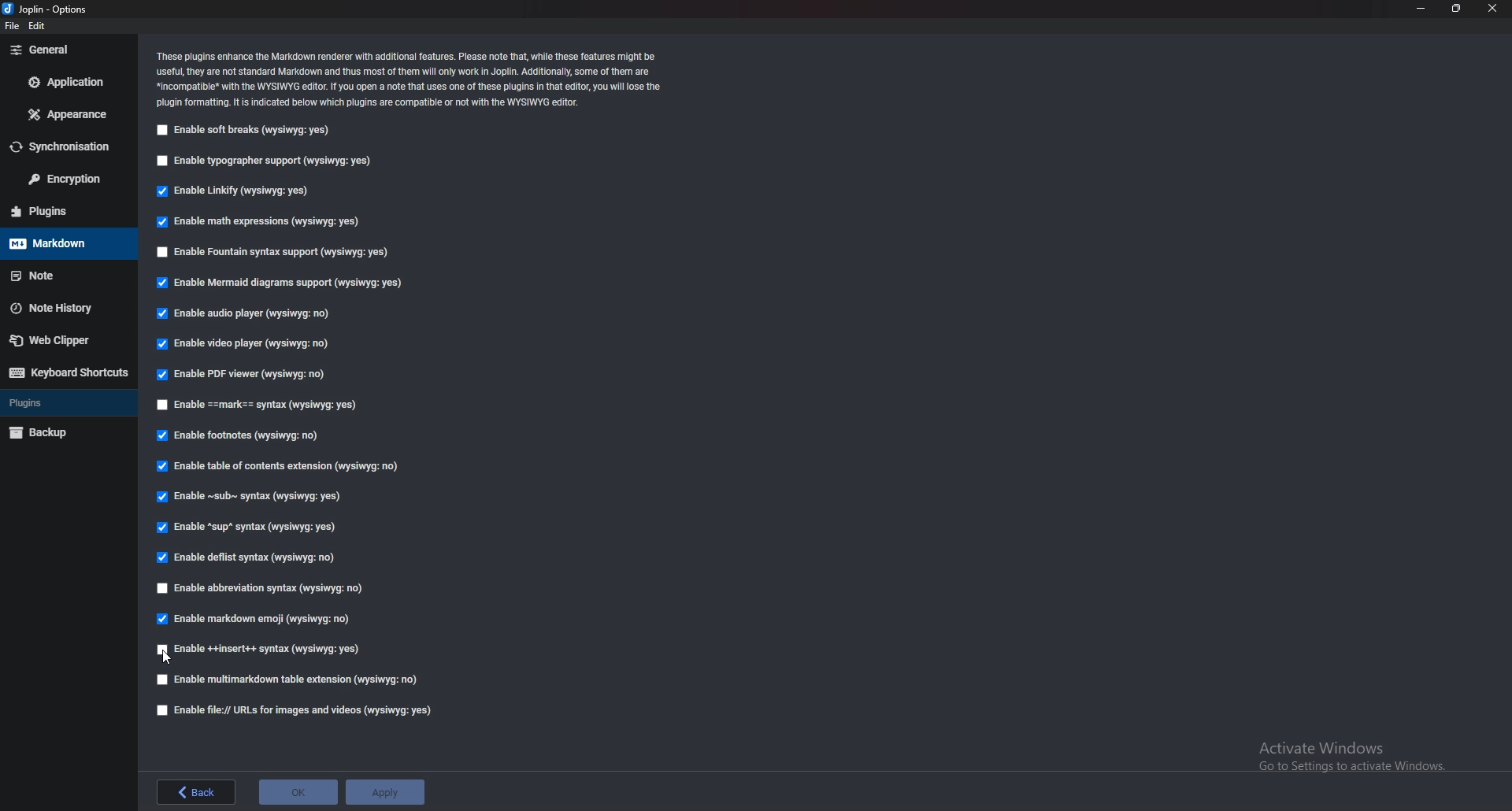 The image size is (1512, 811). Describe the element at coordinates (239, 438) in the screenshot. I see `Enable footnotes` at that location.